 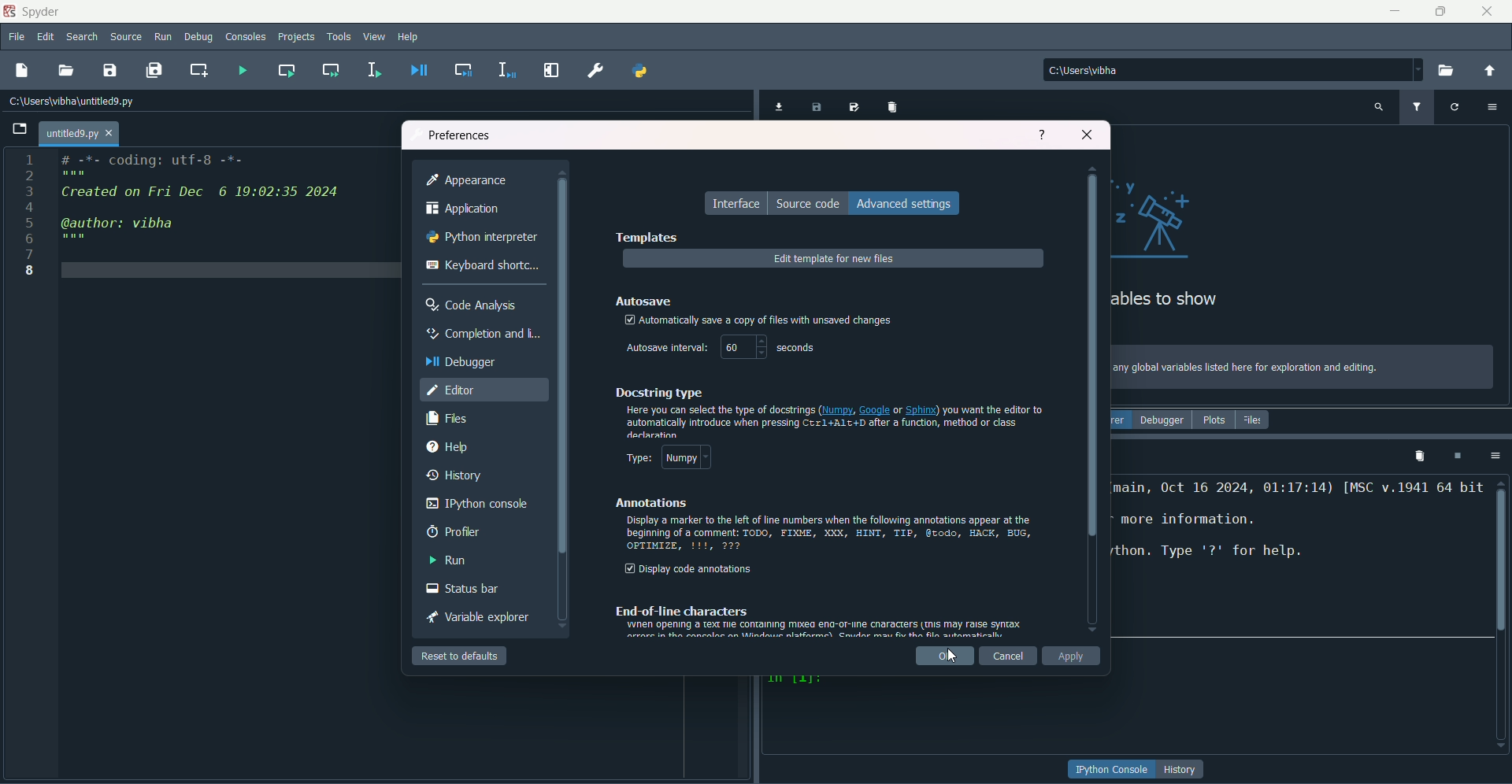 What do you see at coordinates (21, 70) in the screenshot?
I see `new file` at bounding box center [21, 70].